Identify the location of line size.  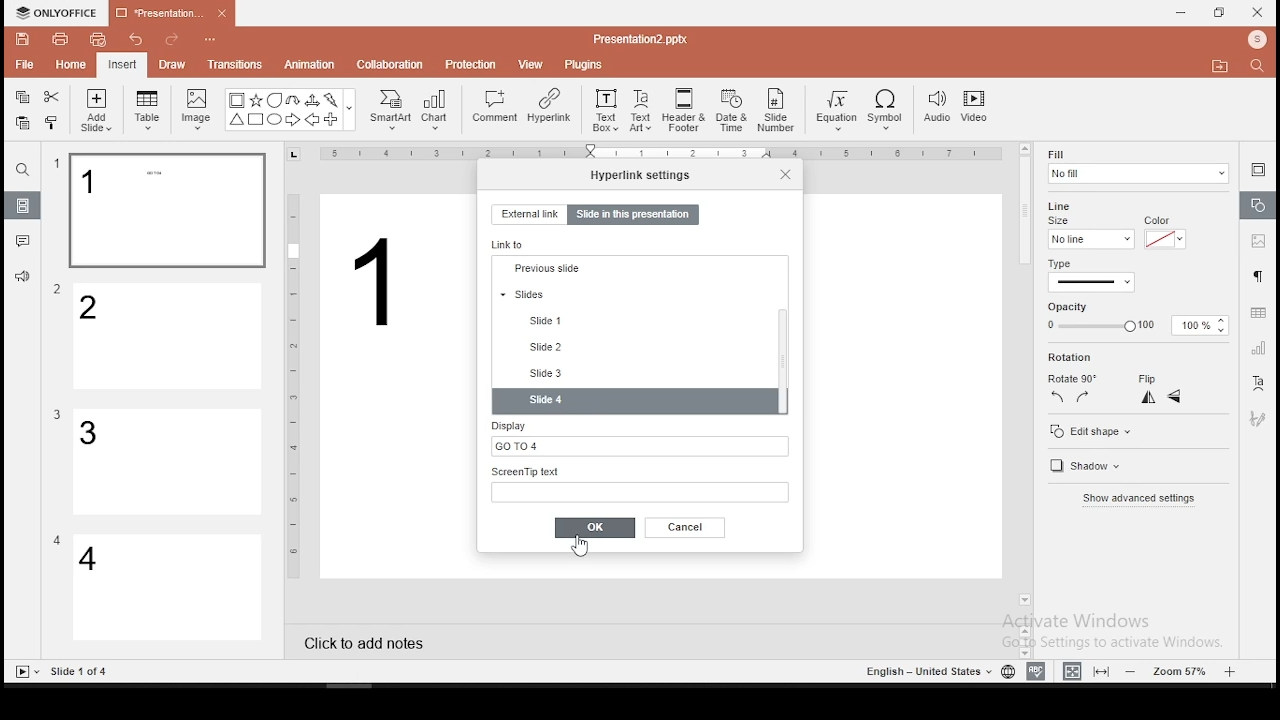
(1090, 238).